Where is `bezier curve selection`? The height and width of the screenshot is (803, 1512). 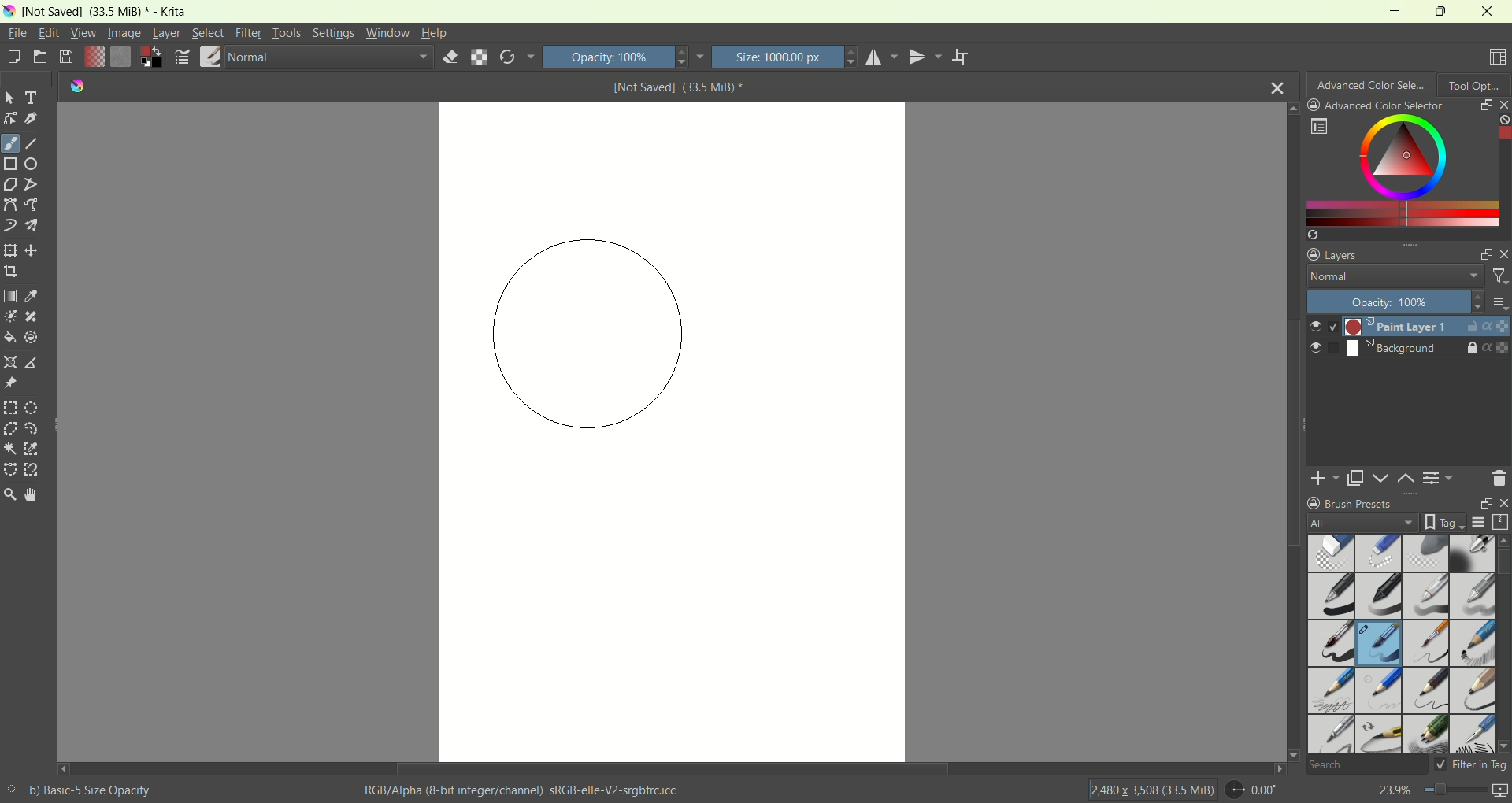 bezier curve selection is located at coordinates (10, 468).